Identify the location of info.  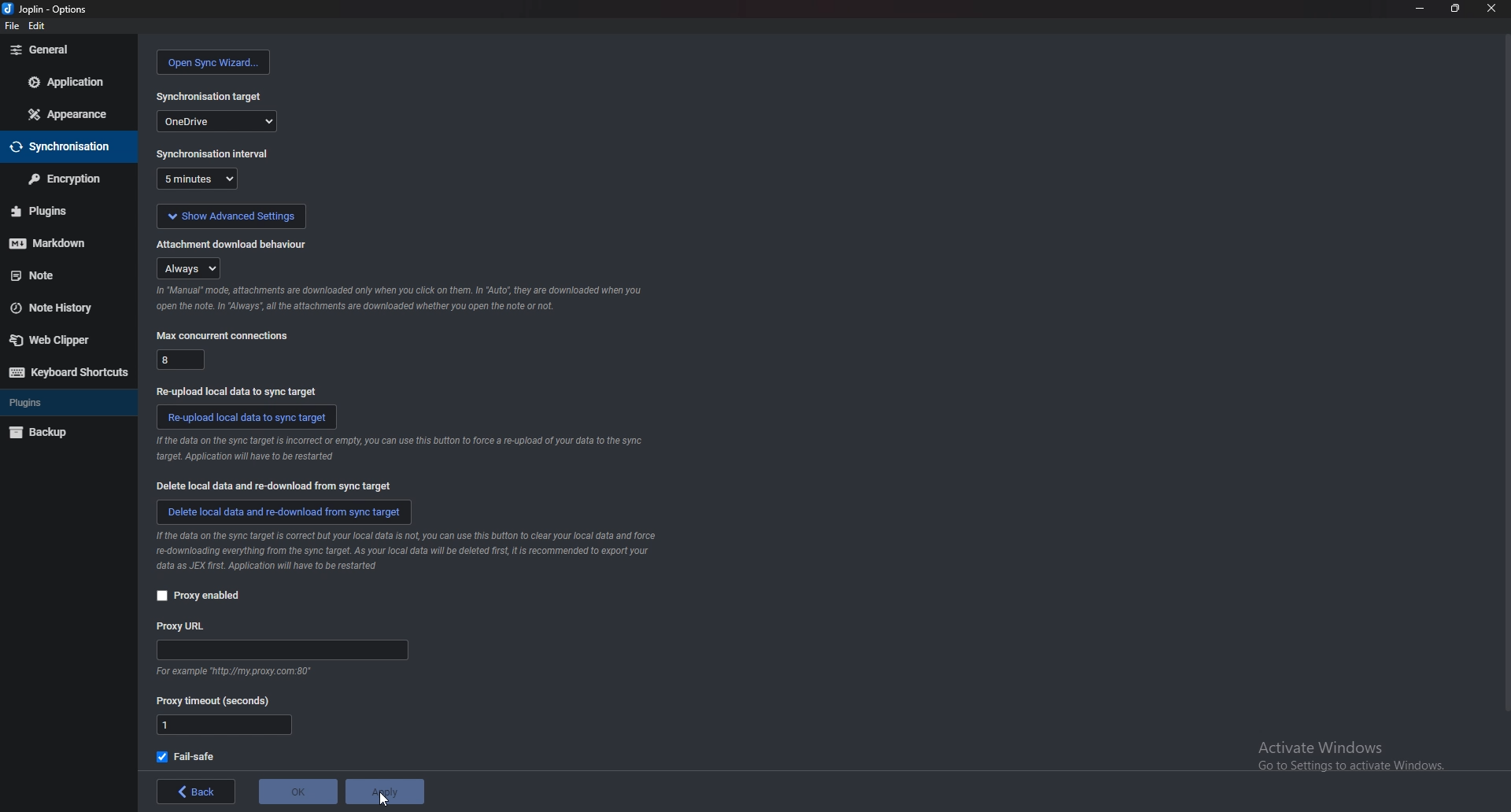
(238, 670).